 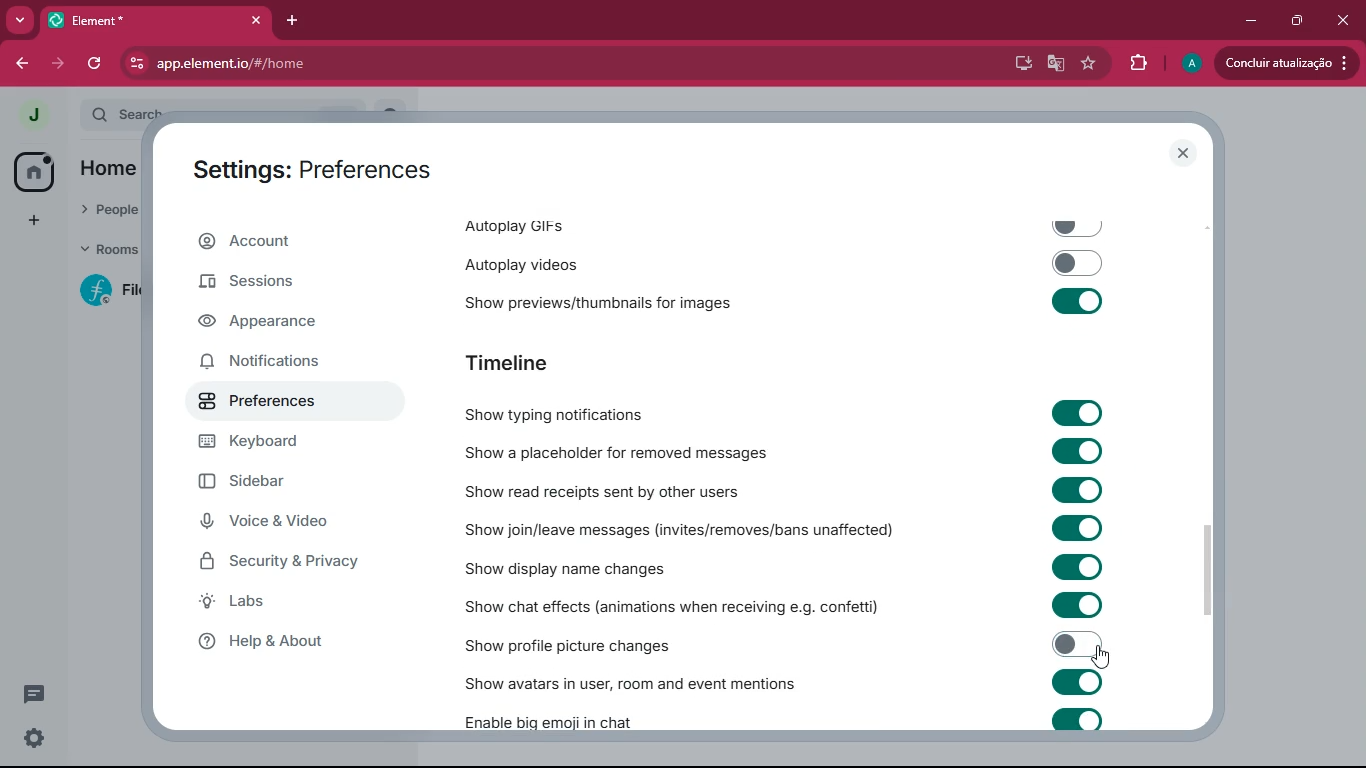 I want to click on Show display name changes, so click(x=783, y=568).